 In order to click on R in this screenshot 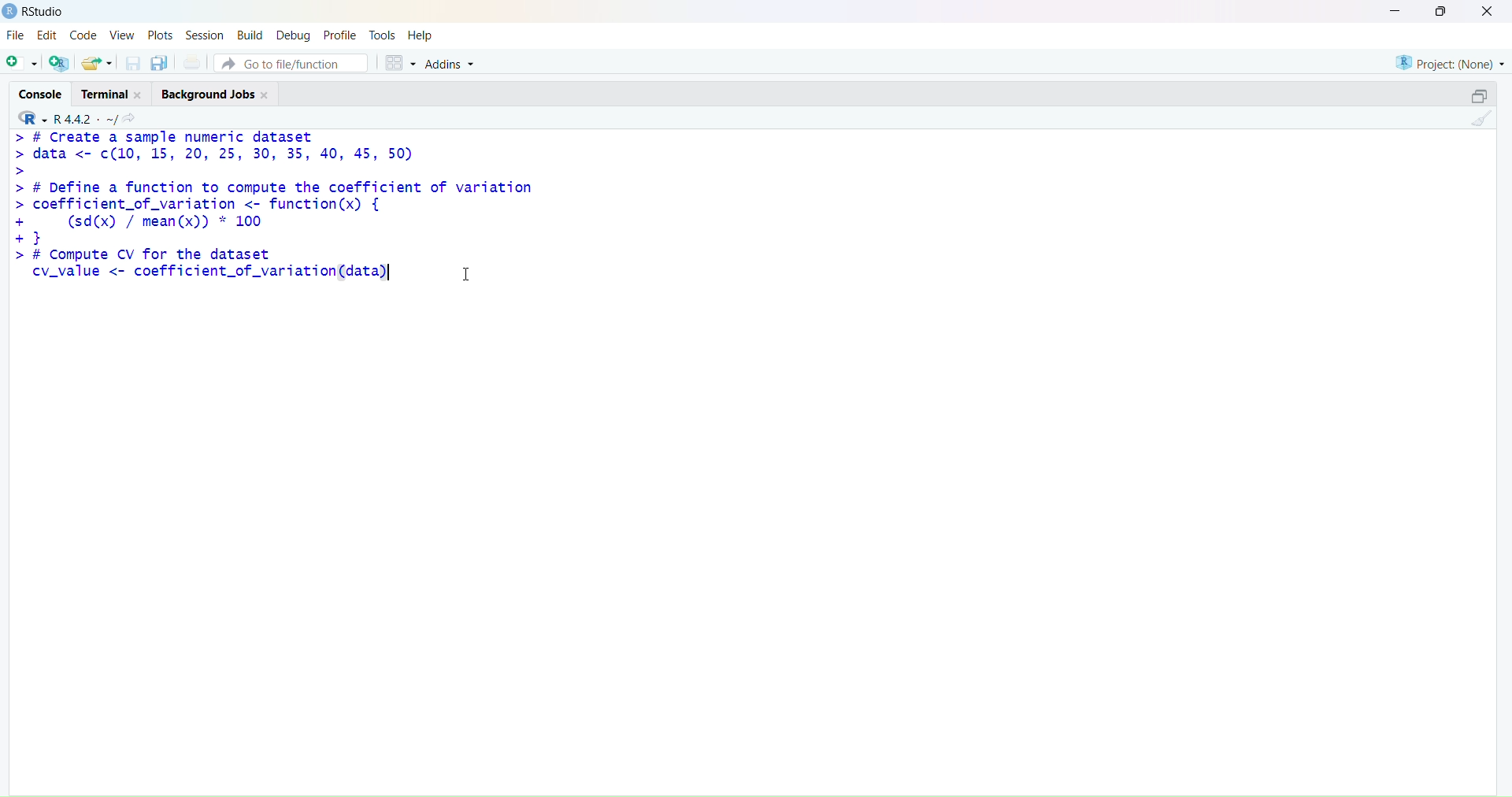, I will do `click(33, 117)`.